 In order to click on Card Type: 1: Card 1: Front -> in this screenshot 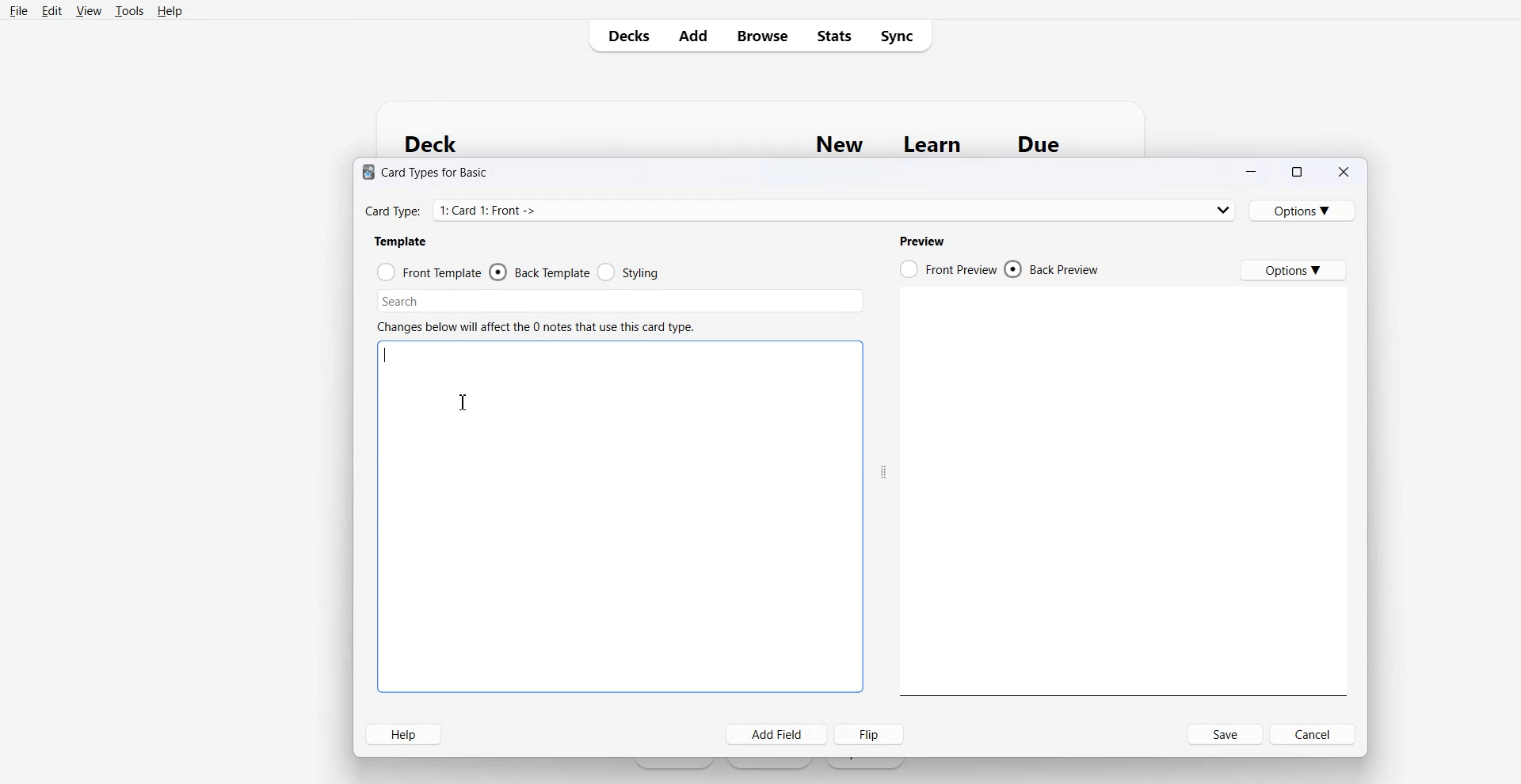, I will do `click(799, 207)`.